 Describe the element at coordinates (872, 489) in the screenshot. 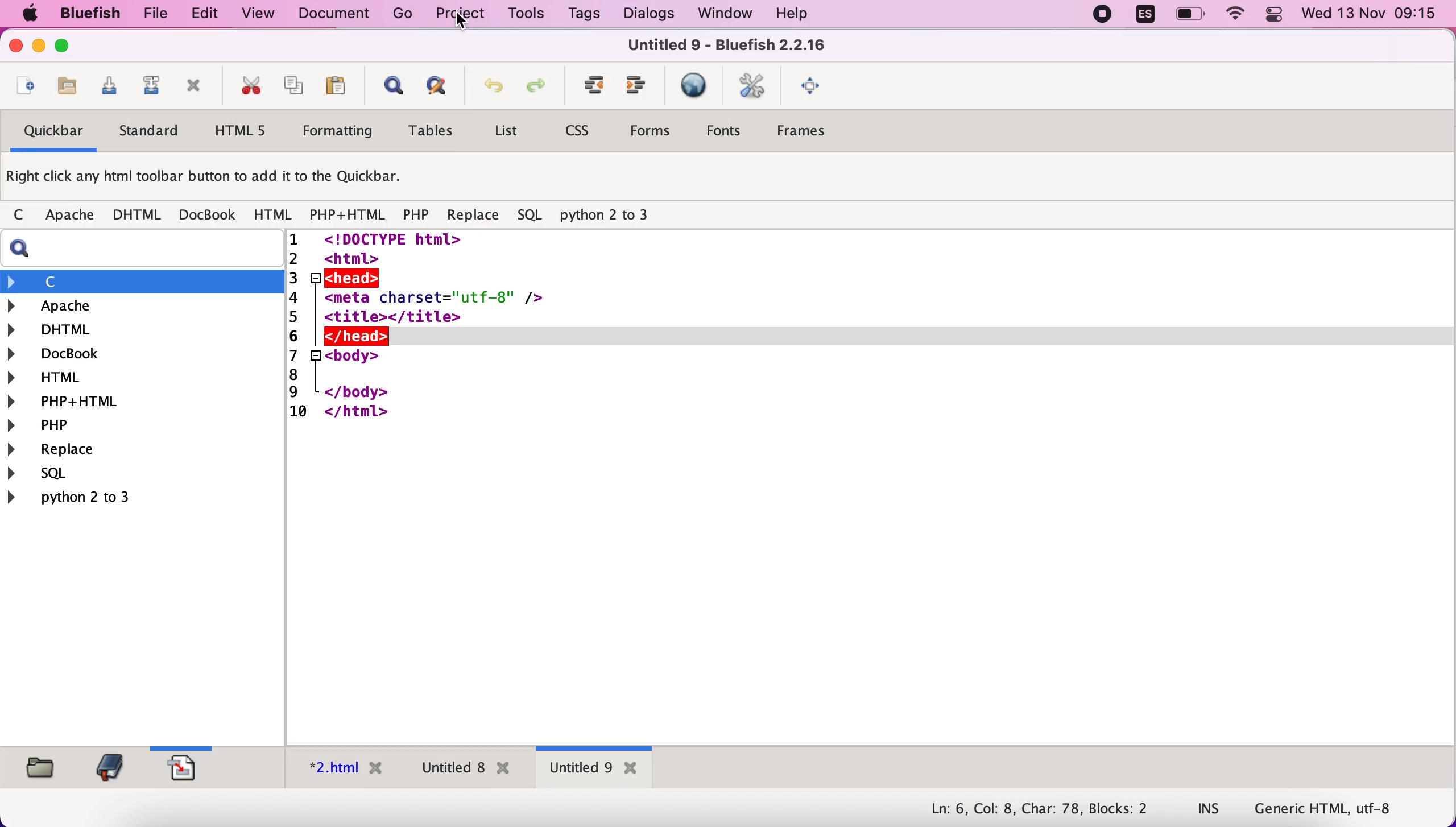

I see `HTML CODE Template` at that location.